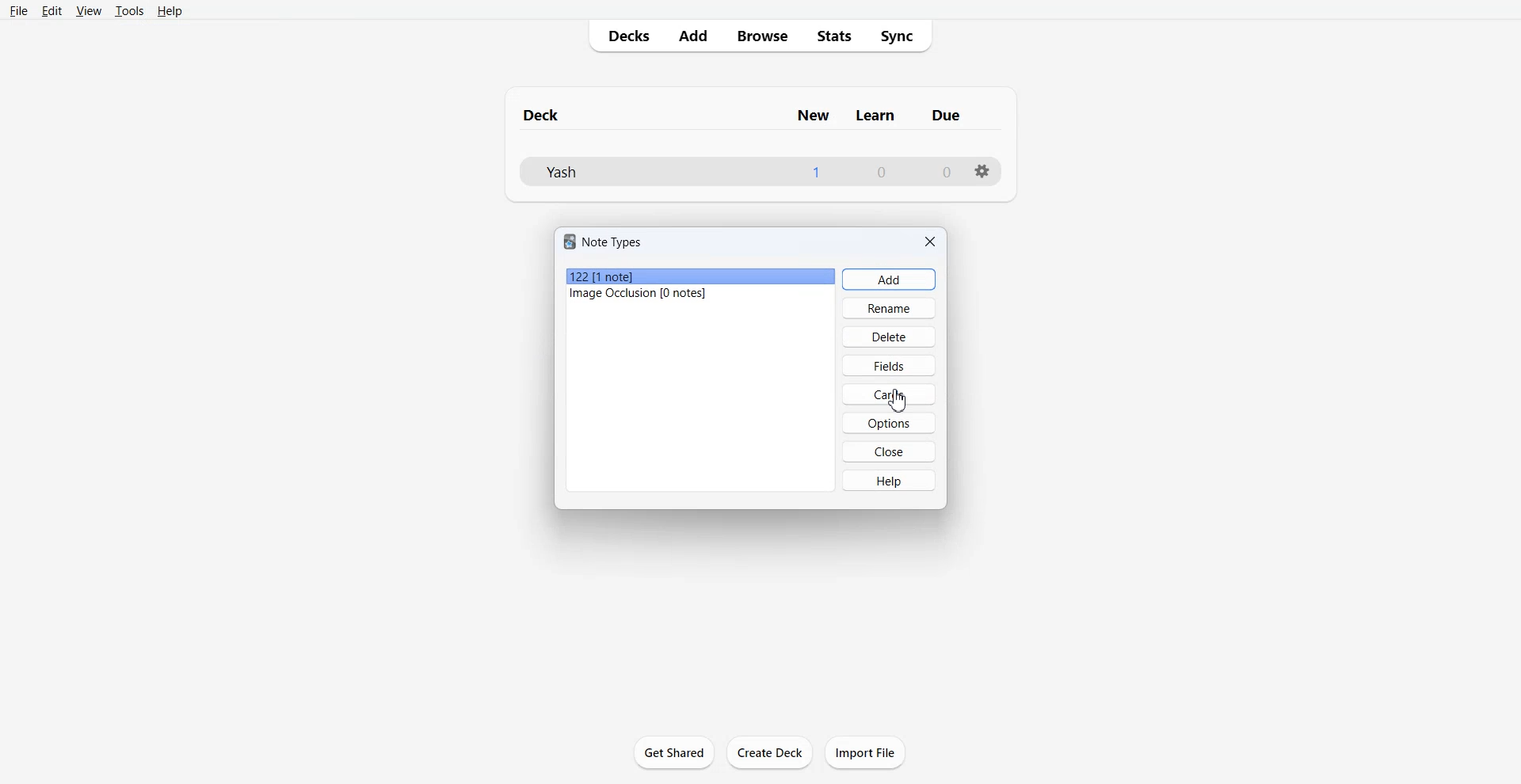 This screenshot has height=784, width=1521. What do you see at coordinates (834, 36) in the screenshot?
I see `Stats` at bounding box center [834, 36].